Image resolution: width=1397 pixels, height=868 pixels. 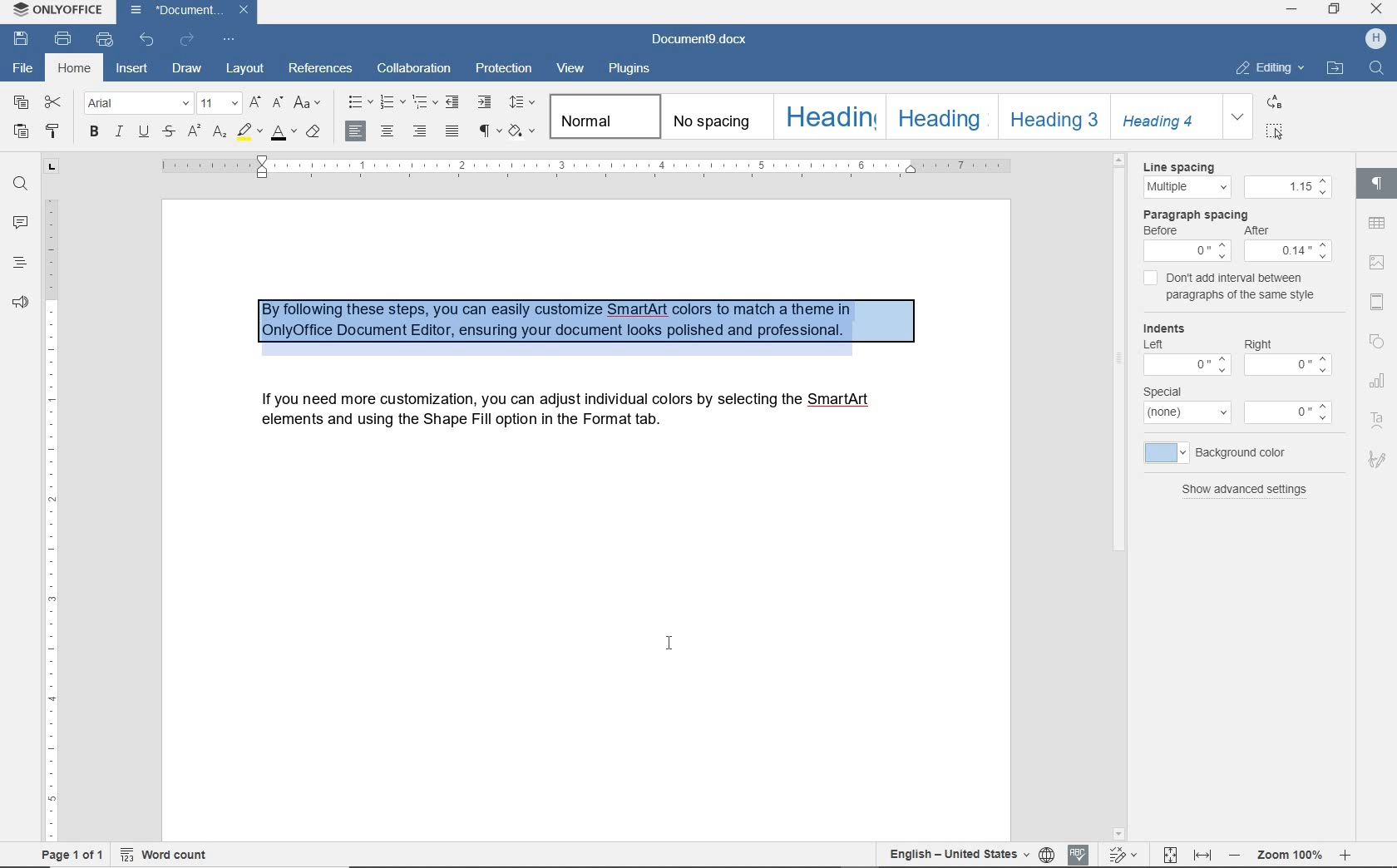 What do you see at coordinates (167, 854) in the screenshot?
I see `word count` at bounding box center [167, 854].